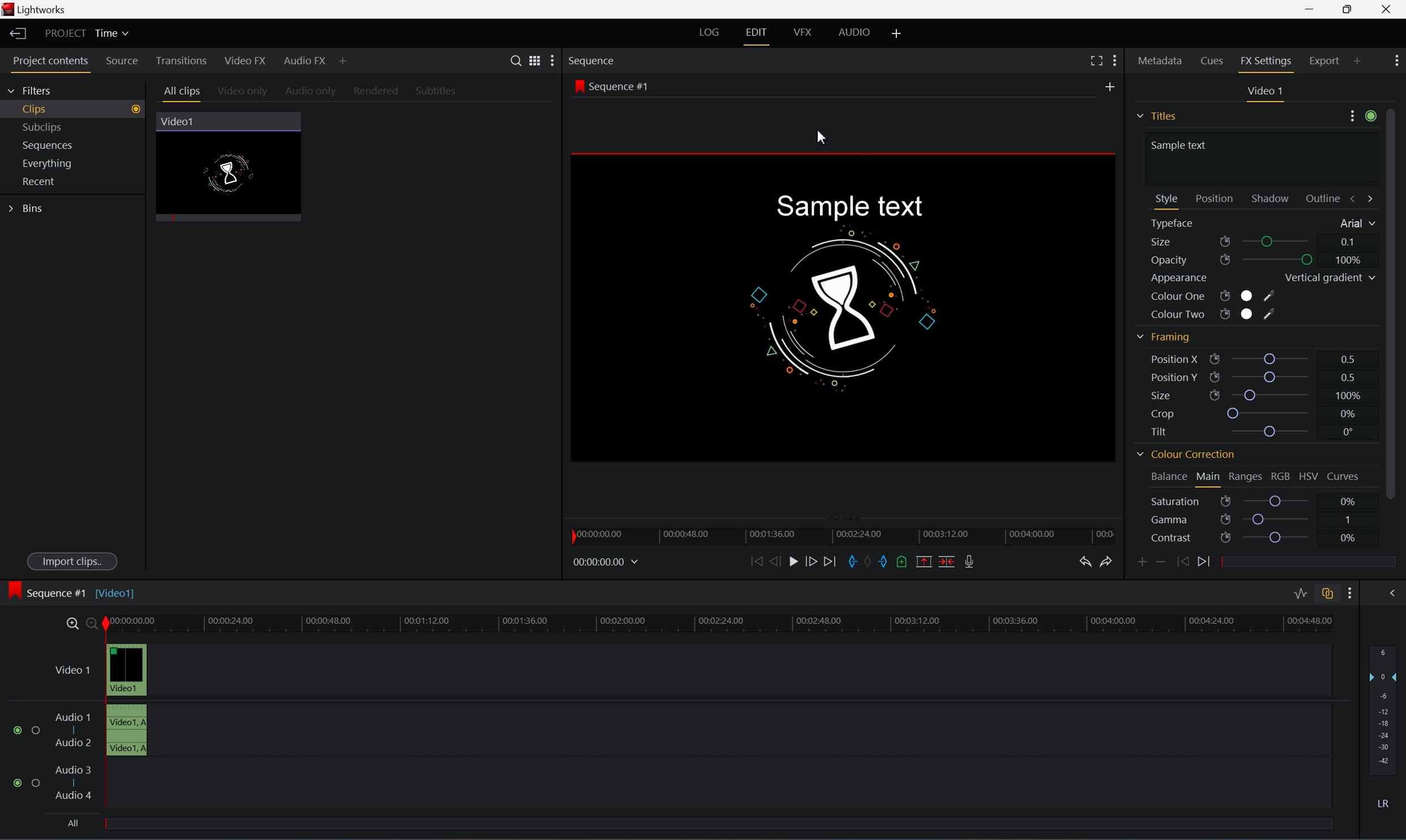 This screenshot has height=840, width=1406. What do you see at coordinates (1210, 314) in the screenshot?
I see `colour two` at bounding box center [1210, 314].